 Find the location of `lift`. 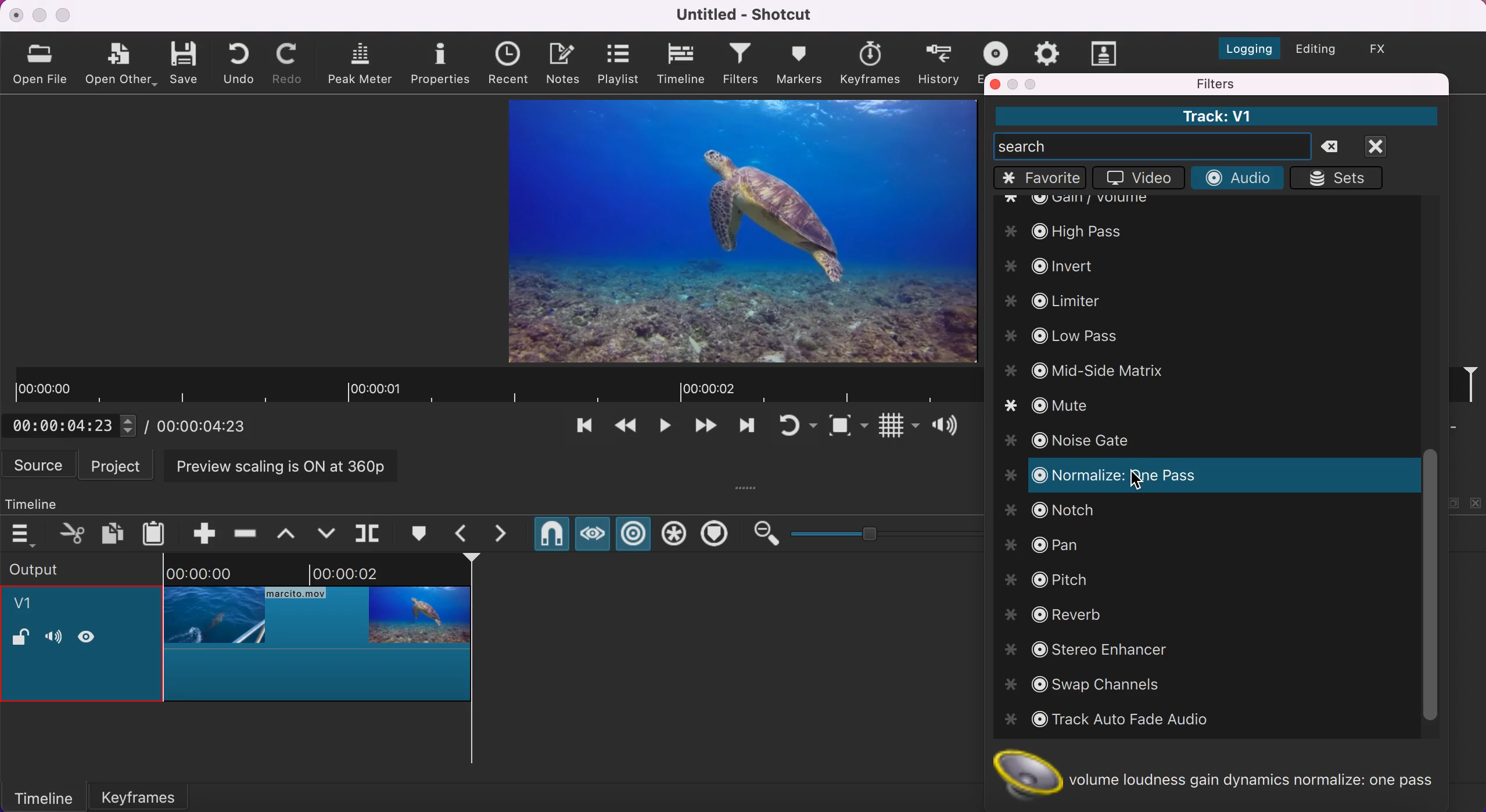

lift is located at coordinates (291, 533).